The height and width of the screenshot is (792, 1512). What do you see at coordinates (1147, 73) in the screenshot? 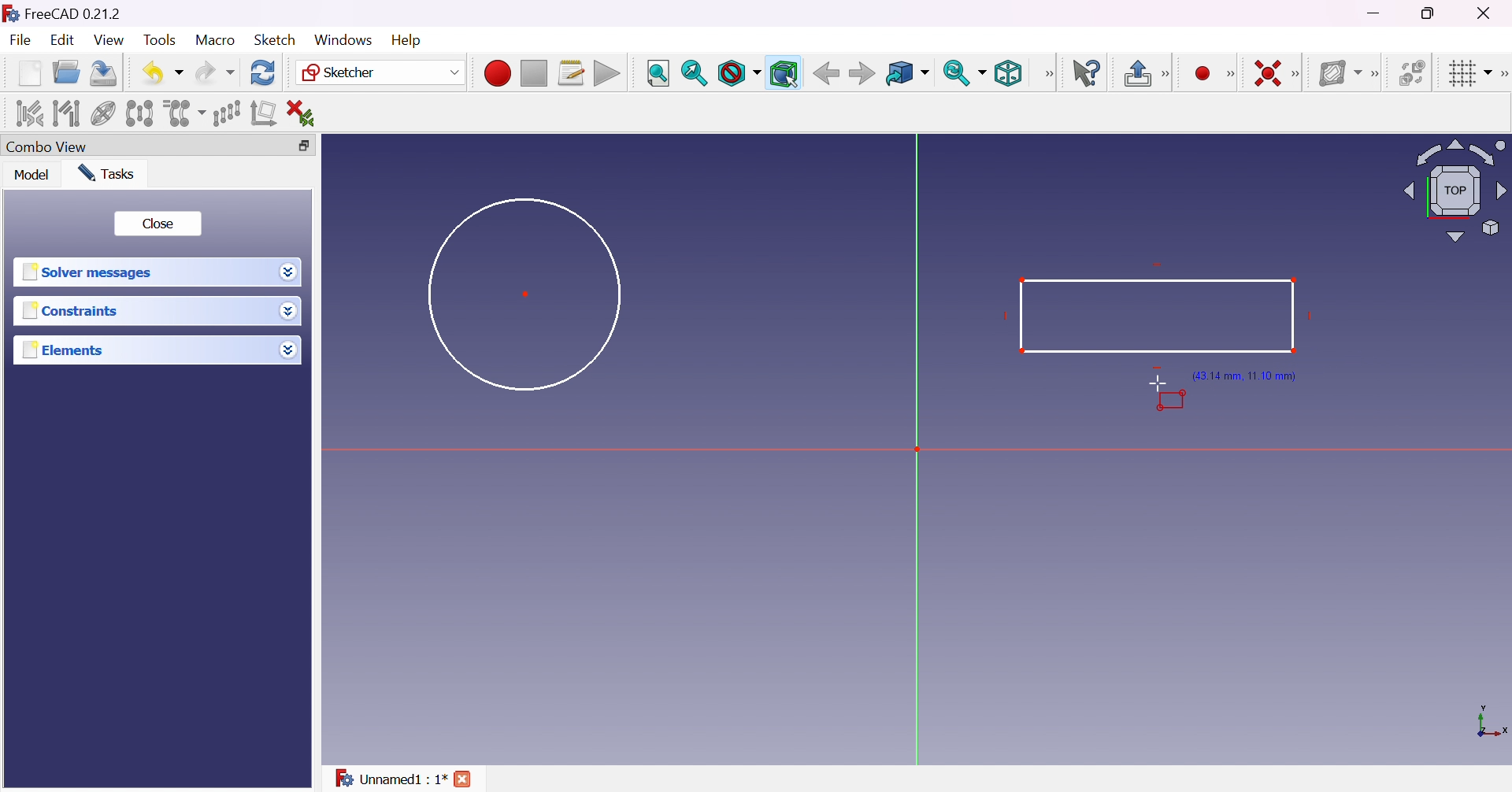
I see `Leave sketch` at bounding box center [1147, 73].